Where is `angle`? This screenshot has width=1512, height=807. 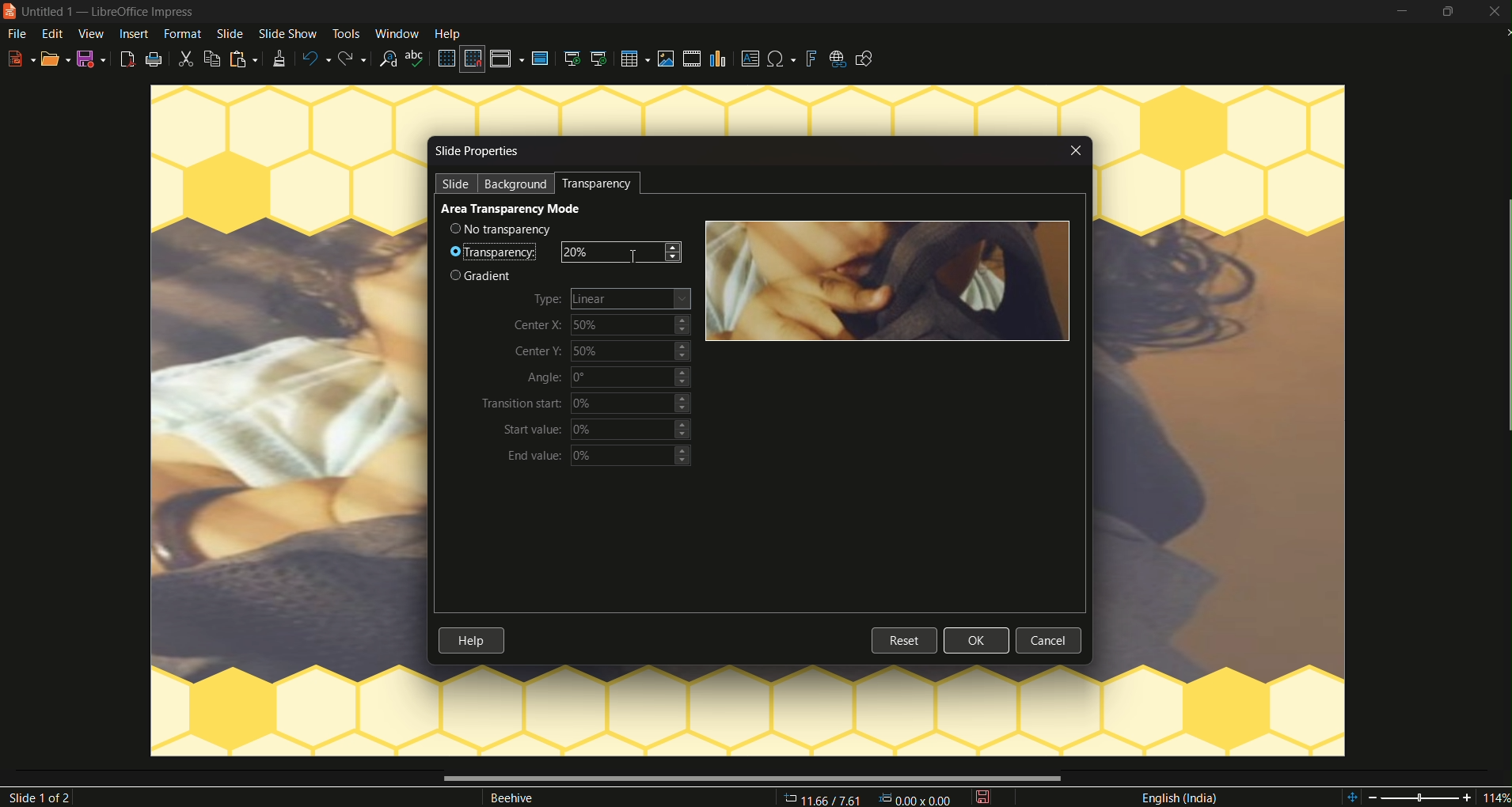
angle is located at coordinates (545, 377).